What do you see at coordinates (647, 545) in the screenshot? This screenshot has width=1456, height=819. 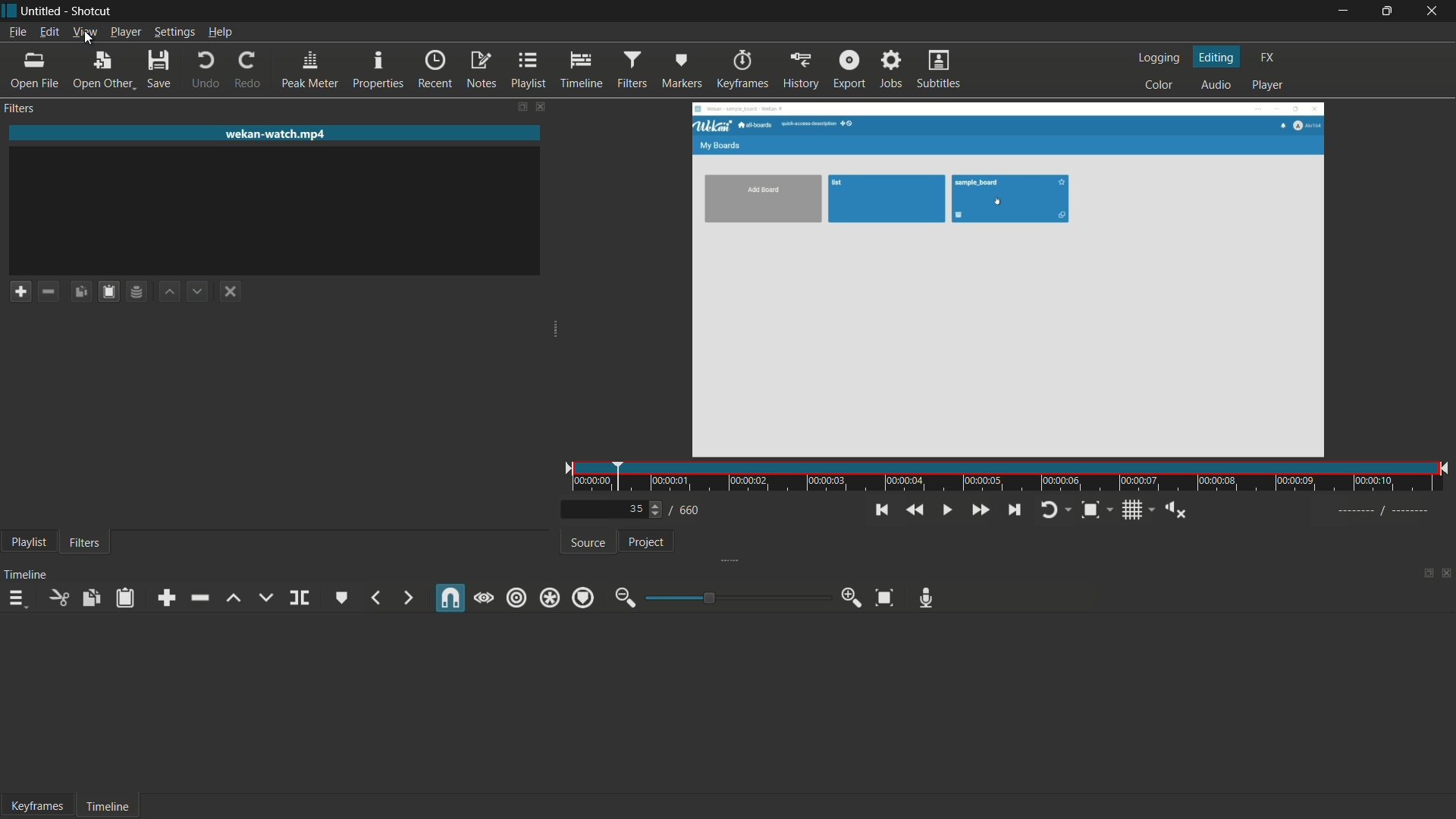 I see `project` at bounding box center [647, 545].